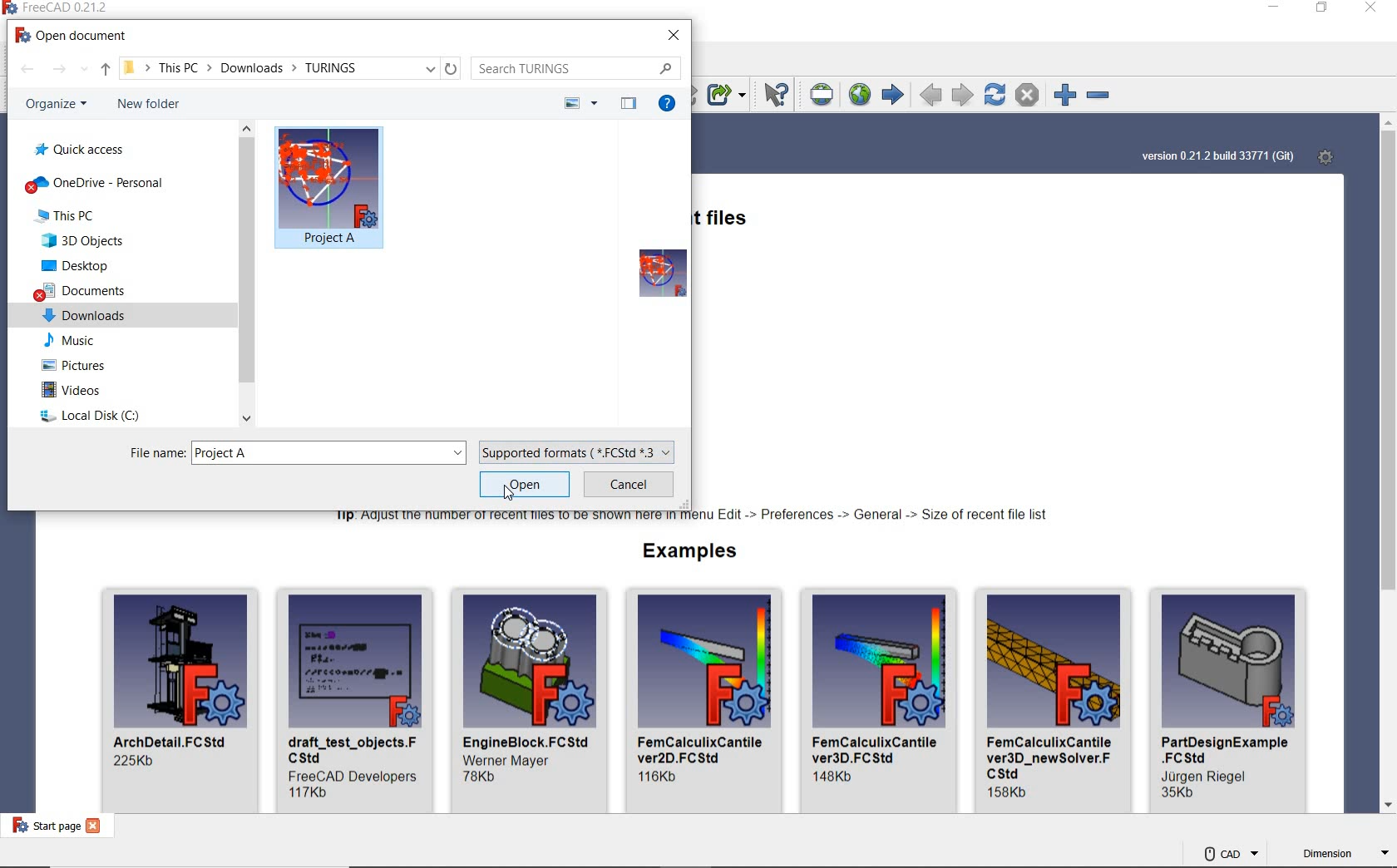 The image size is (1397, 868). What do you see at coordinates (57, 105) in the screenshot?
I see `ORGANIZE` at bounding box center [57, 105].